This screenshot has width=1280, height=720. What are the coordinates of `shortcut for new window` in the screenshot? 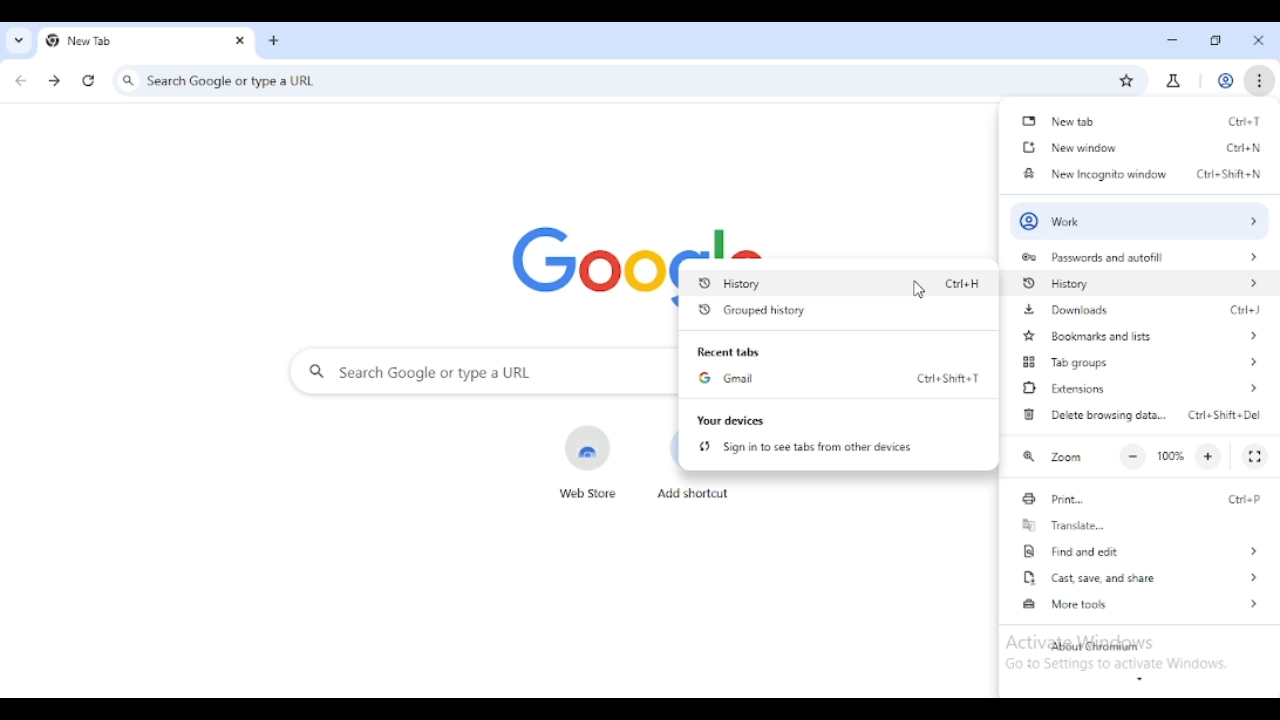 It's located at (1243, 148).